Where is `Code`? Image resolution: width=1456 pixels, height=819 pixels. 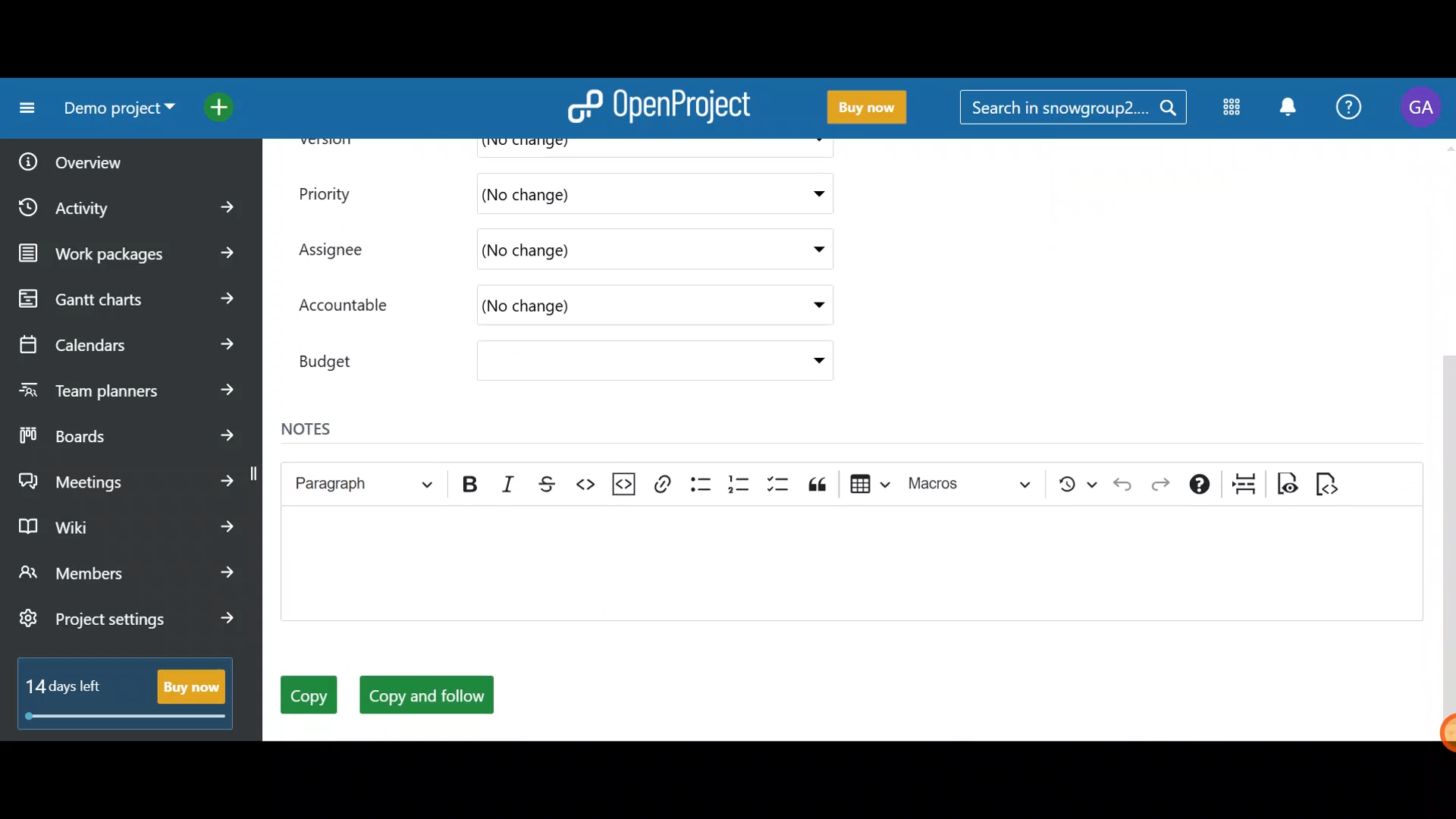
Code is located at coordinates (587, 485).